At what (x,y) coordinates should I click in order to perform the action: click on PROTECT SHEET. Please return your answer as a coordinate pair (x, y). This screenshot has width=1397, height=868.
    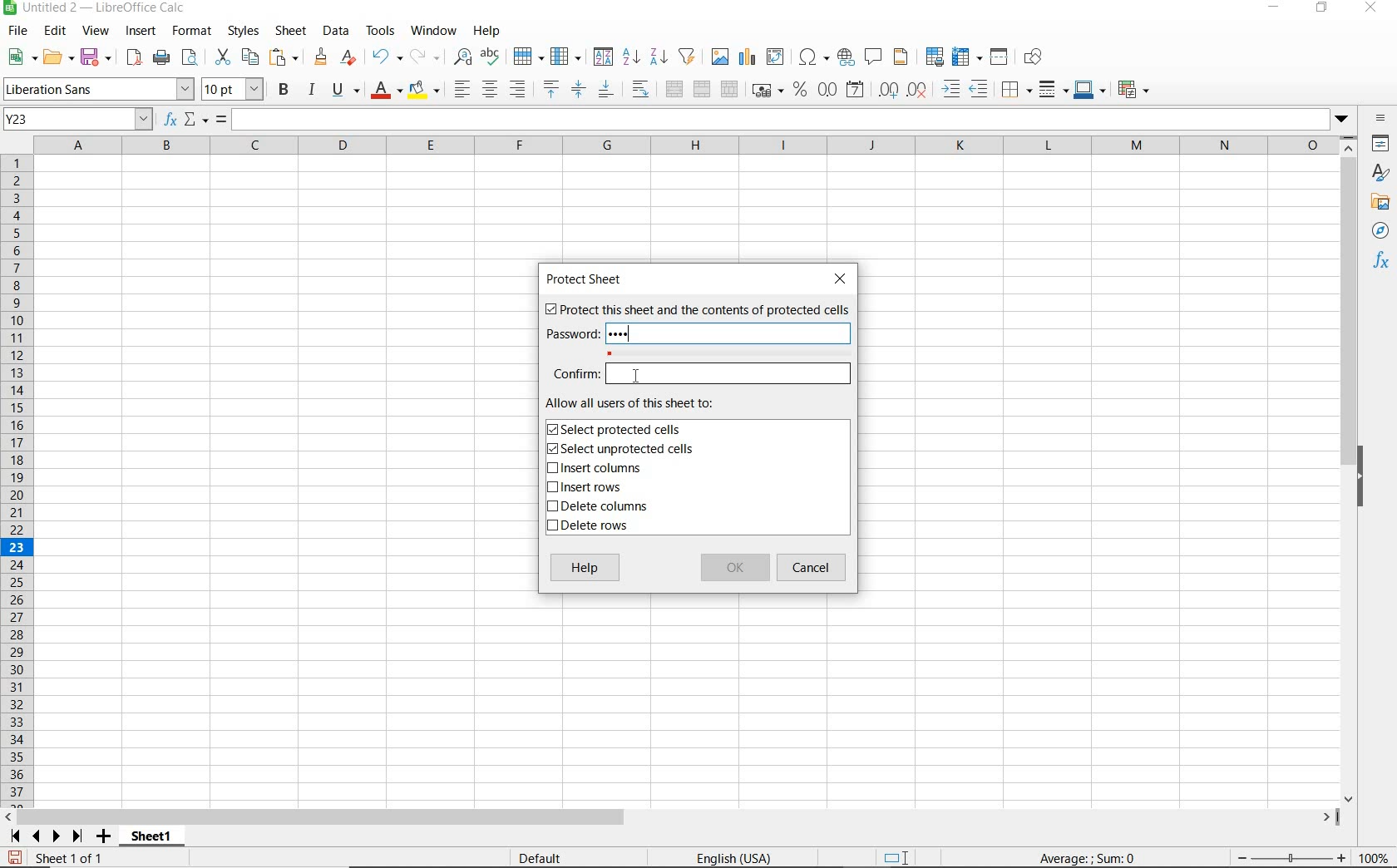
    Looking at the image, I should click on (588, 279).